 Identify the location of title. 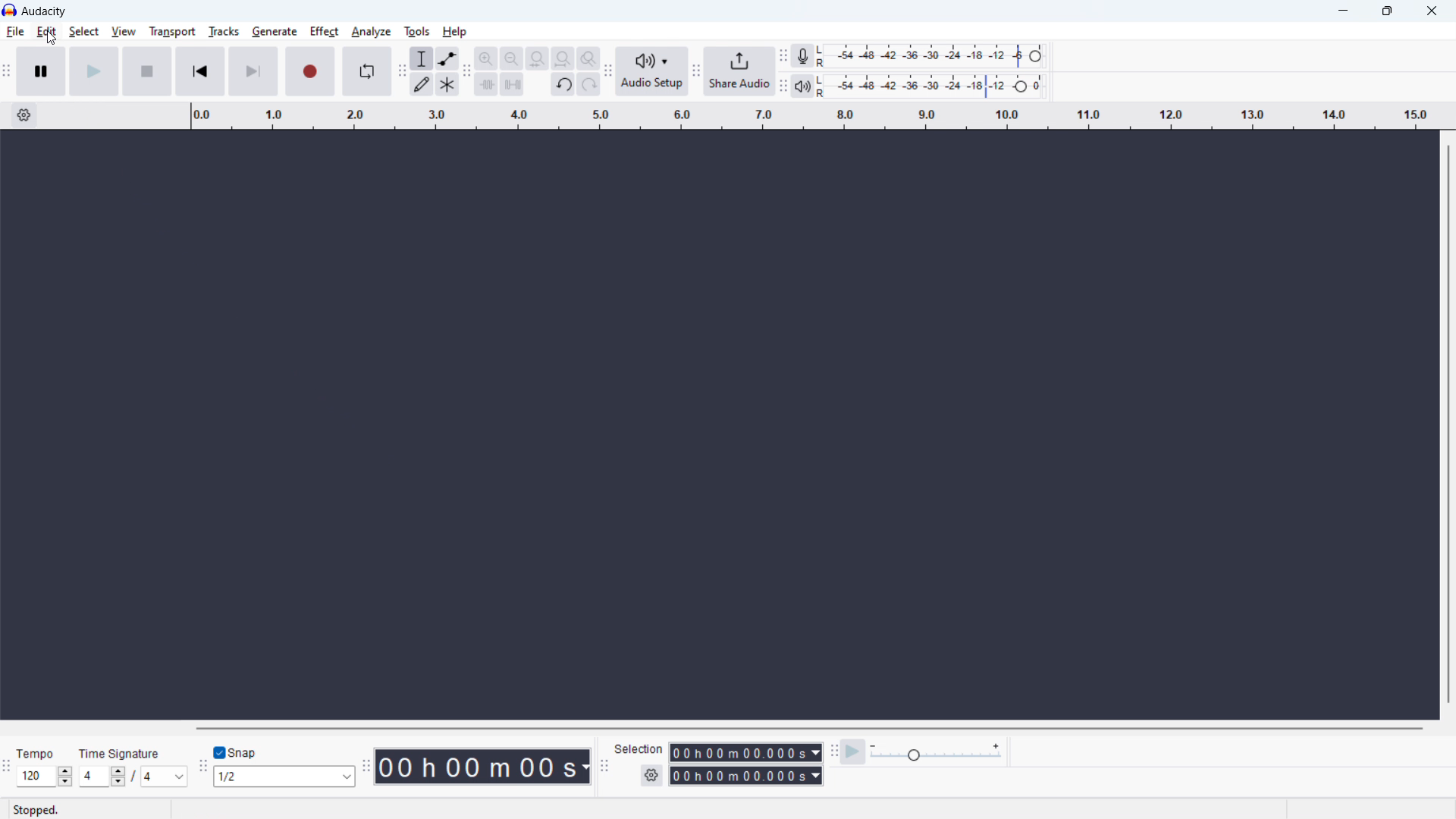
(44, 11).